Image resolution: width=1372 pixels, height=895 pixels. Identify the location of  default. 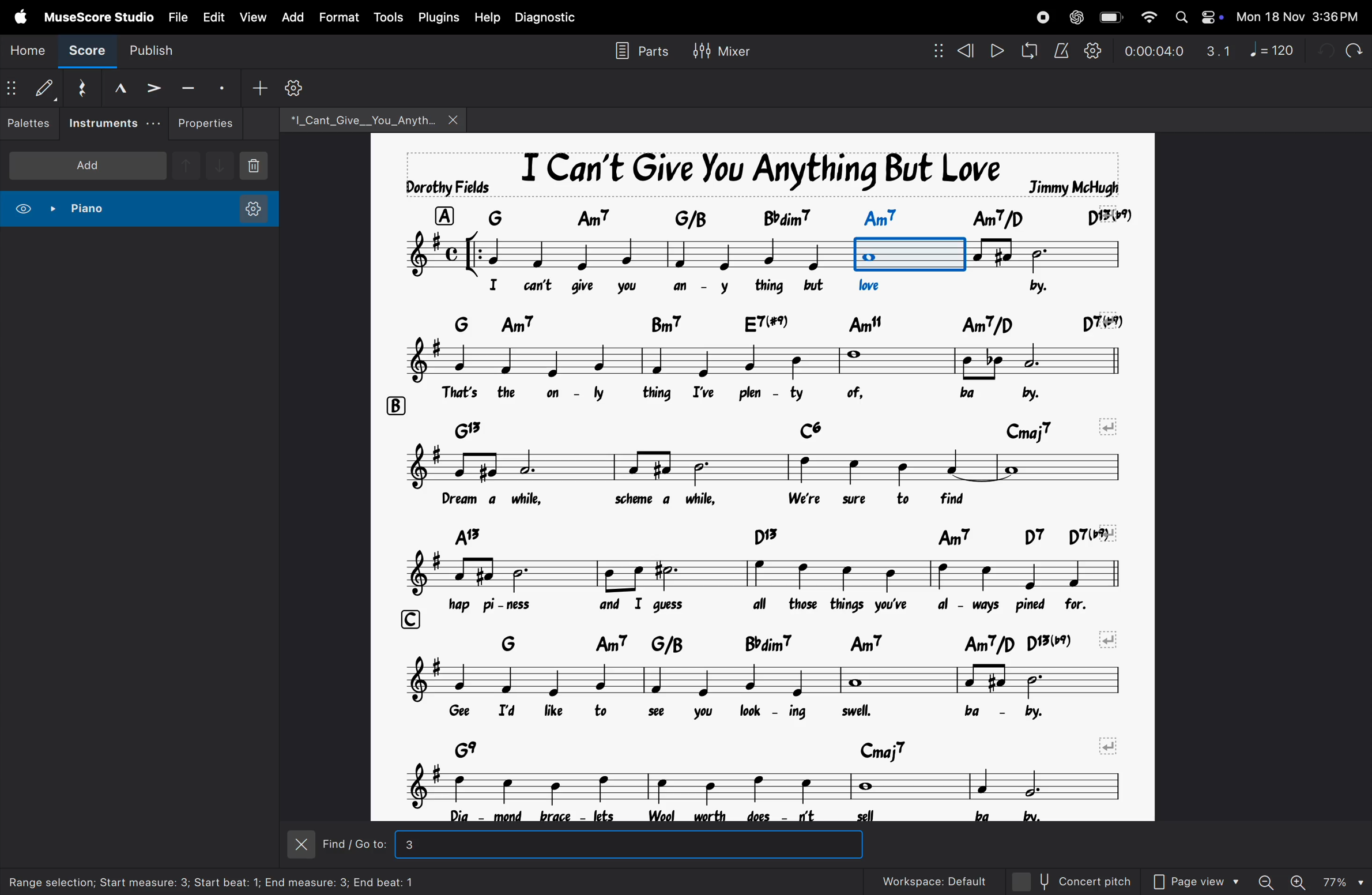
(33, 87).